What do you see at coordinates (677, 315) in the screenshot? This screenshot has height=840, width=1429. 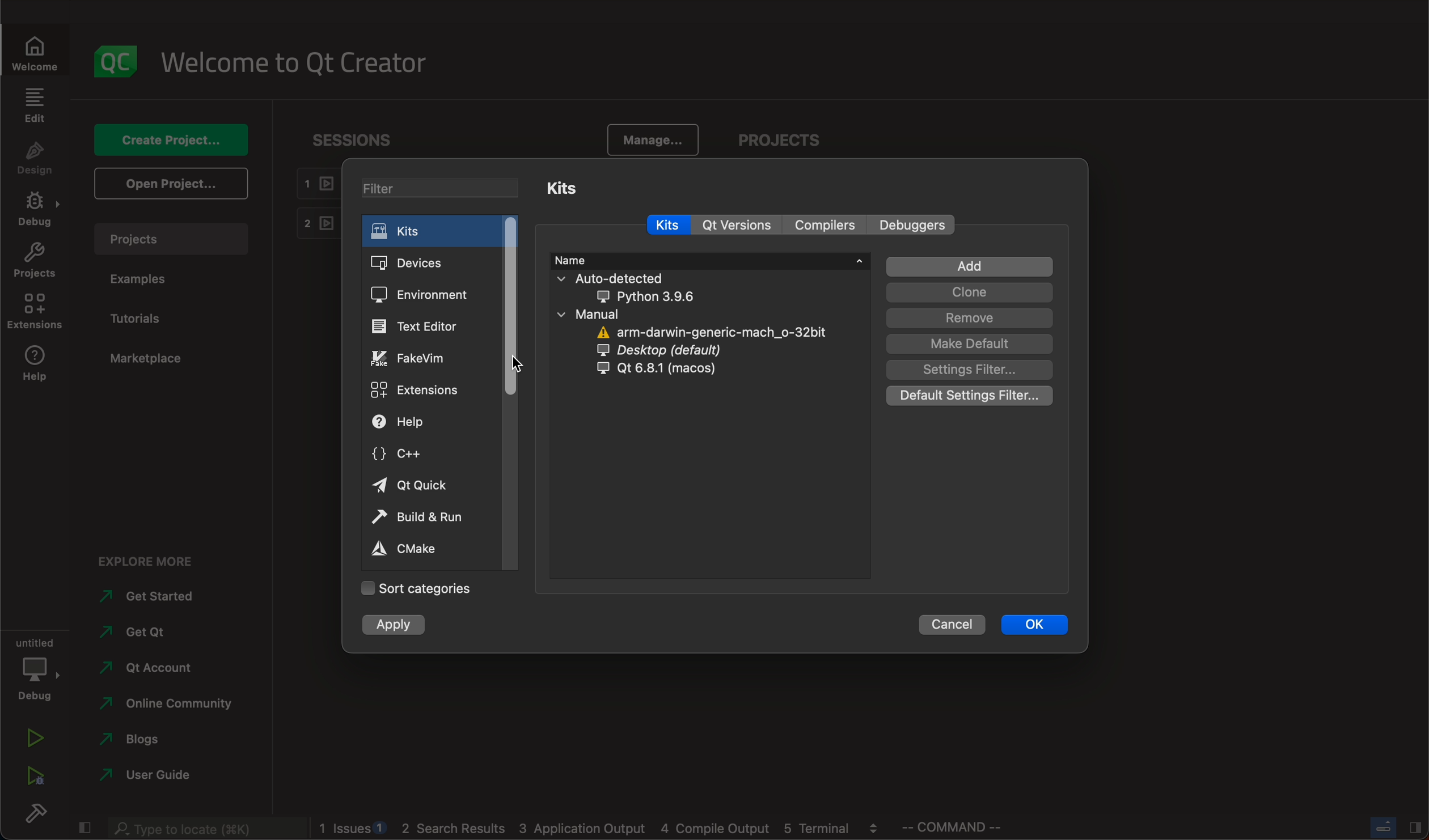 I see `manual` at bounding box center [677, 315].